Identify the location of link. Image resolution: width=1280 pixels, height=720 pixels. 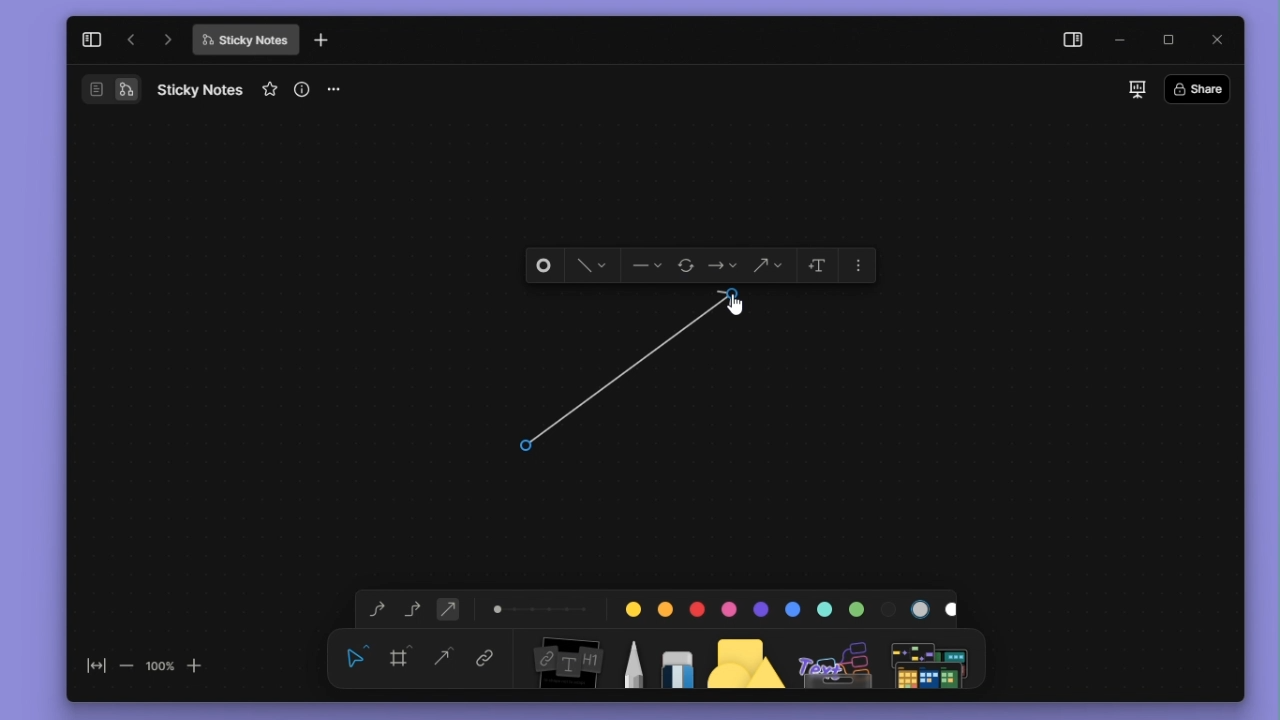
(485, 660).